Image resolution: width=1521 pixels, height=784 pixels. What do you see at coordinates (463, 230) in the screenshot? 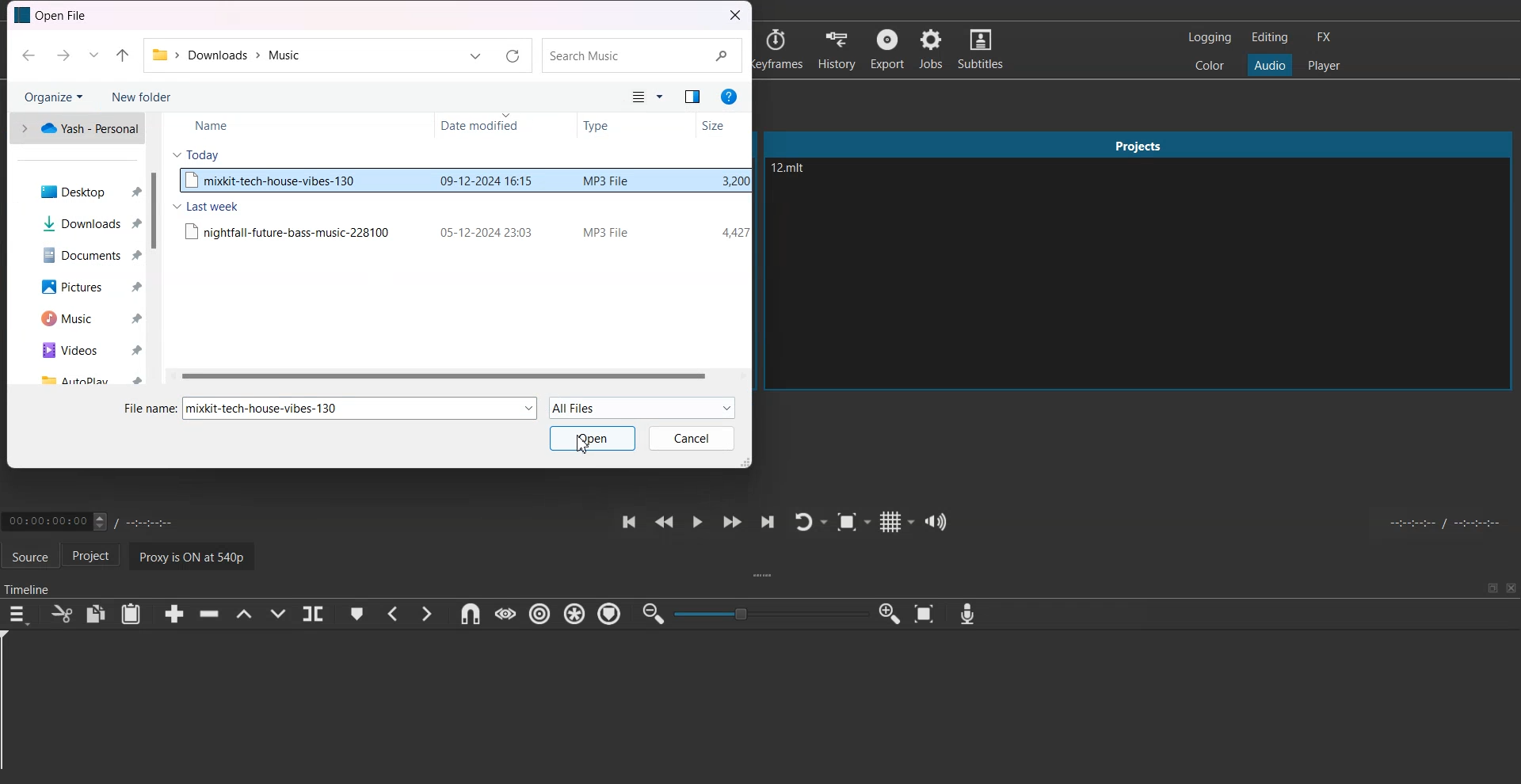
I see `File` at bounding box center [463, 230].